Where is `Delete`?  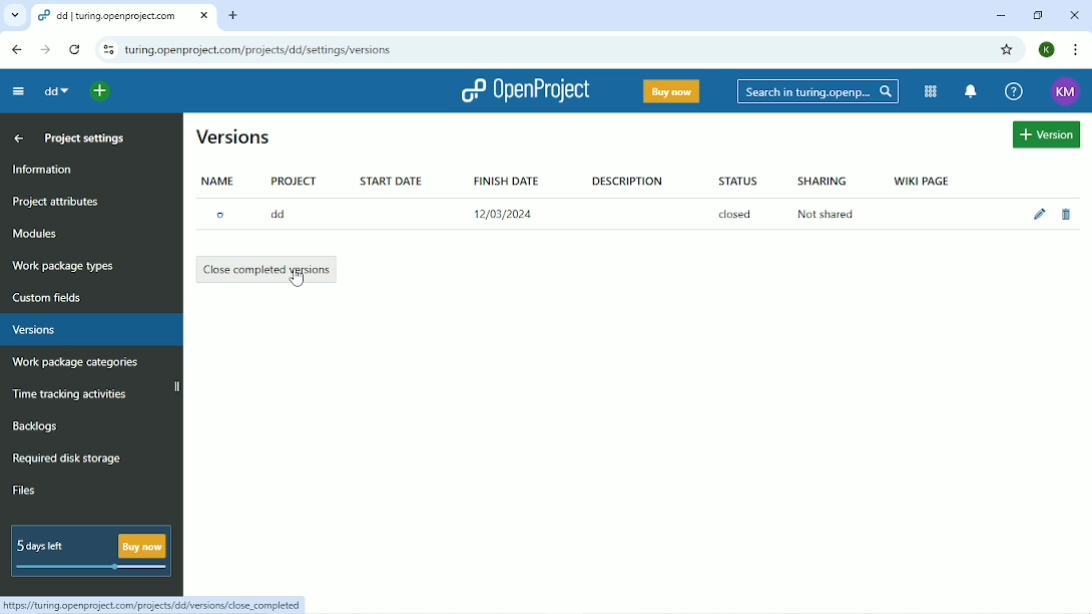
Delete is located at coordinates (1066, 215).